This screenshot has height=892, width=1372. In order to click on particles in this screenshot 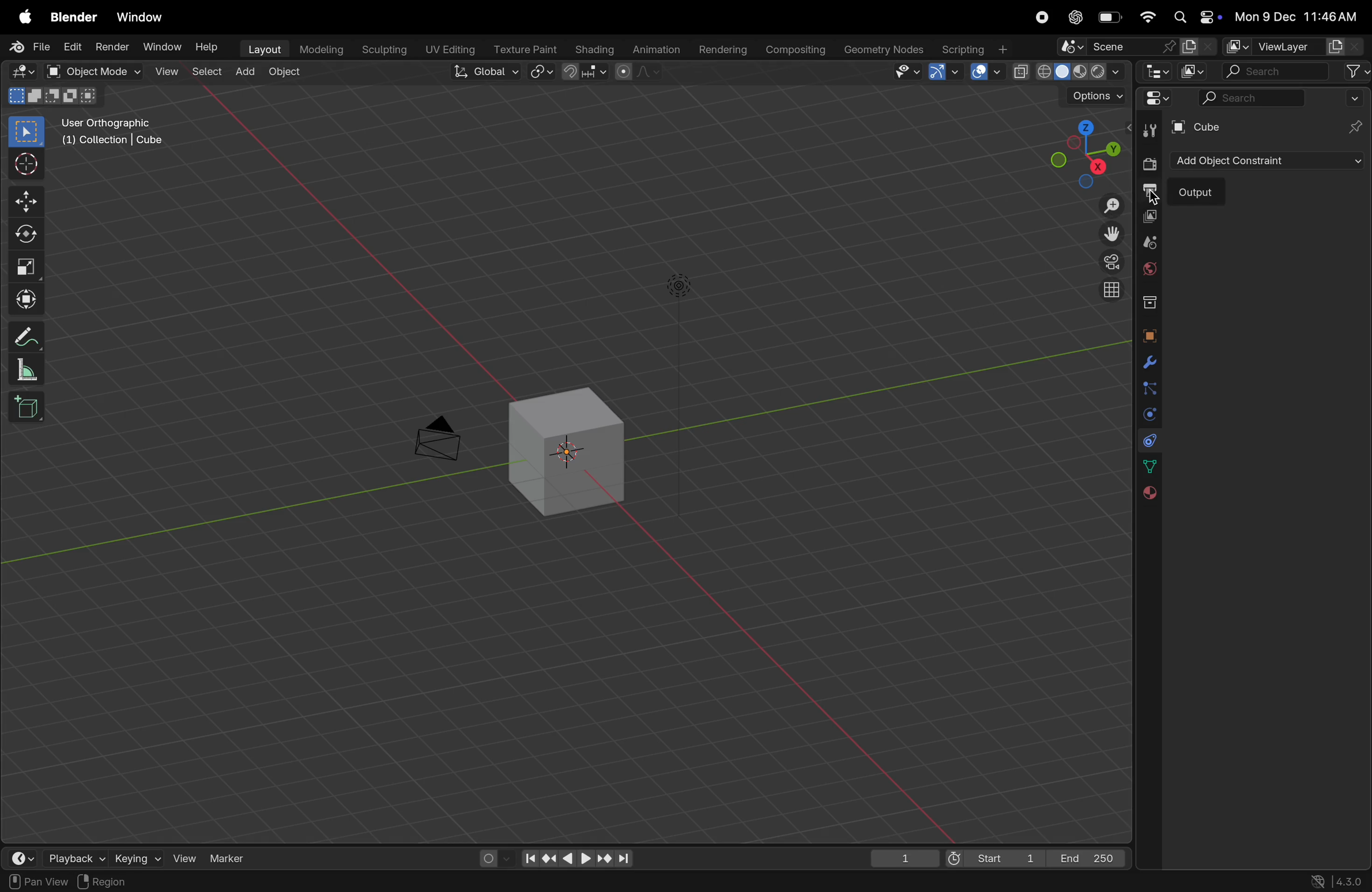, I will do `click(1148, 387)`.